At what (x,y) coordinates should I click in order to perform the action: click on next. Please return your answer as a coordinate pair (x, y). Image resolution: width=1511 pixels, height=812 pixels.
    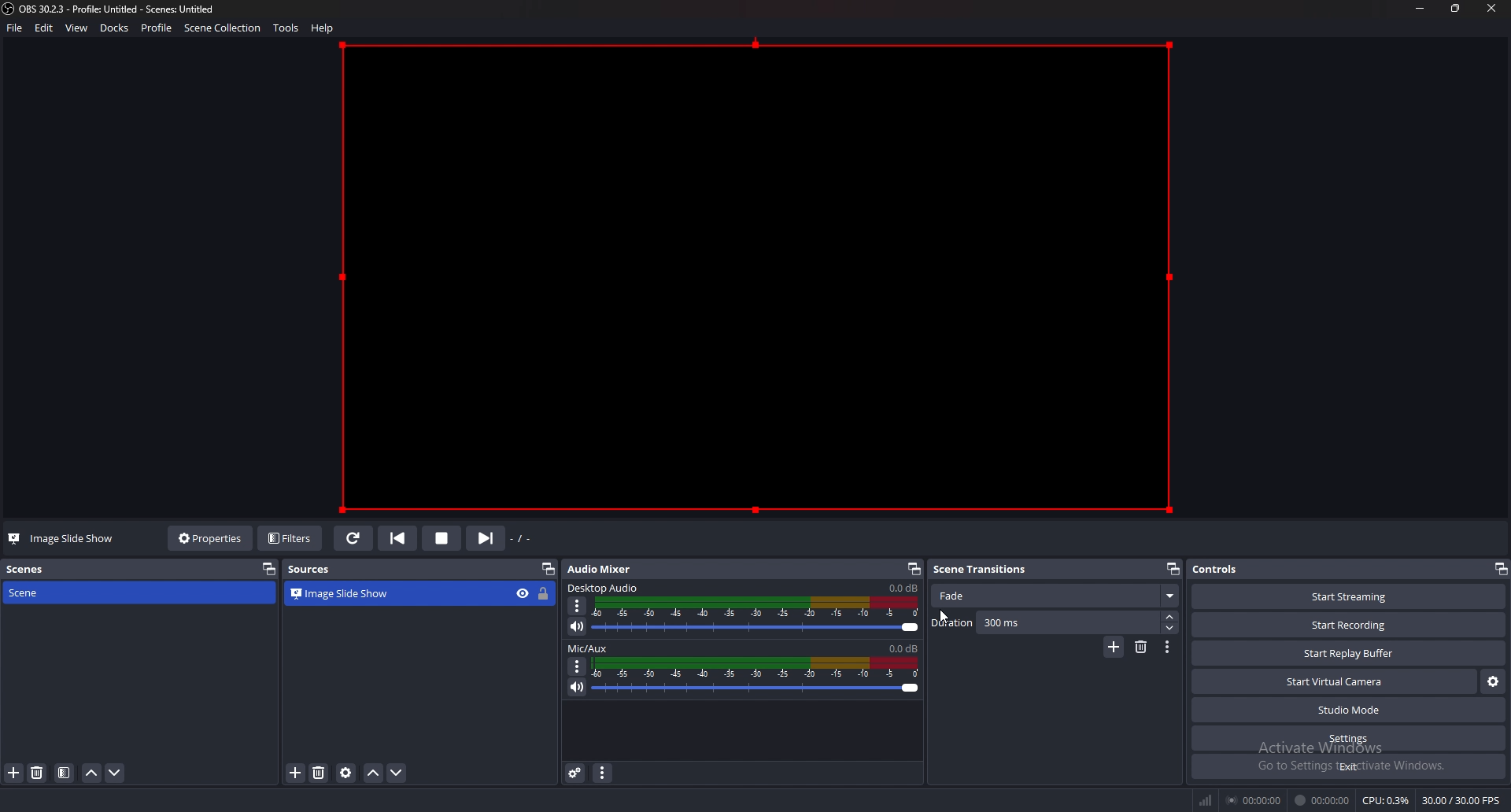
    Looking at the image, I should click on (484, 540).